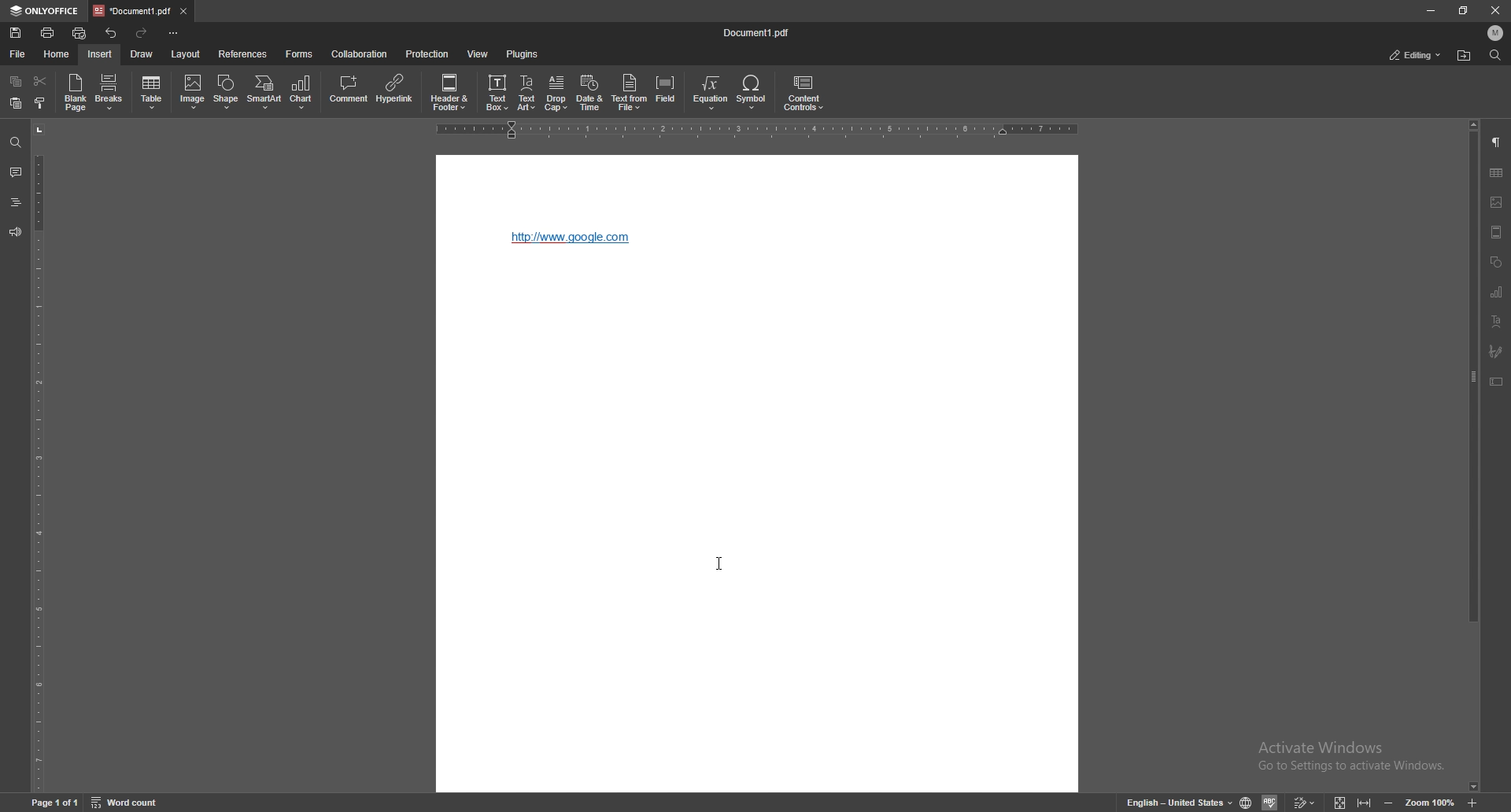 The height and width of the screenshot is (812, 1511). I want to click on print, so click(49, 32).